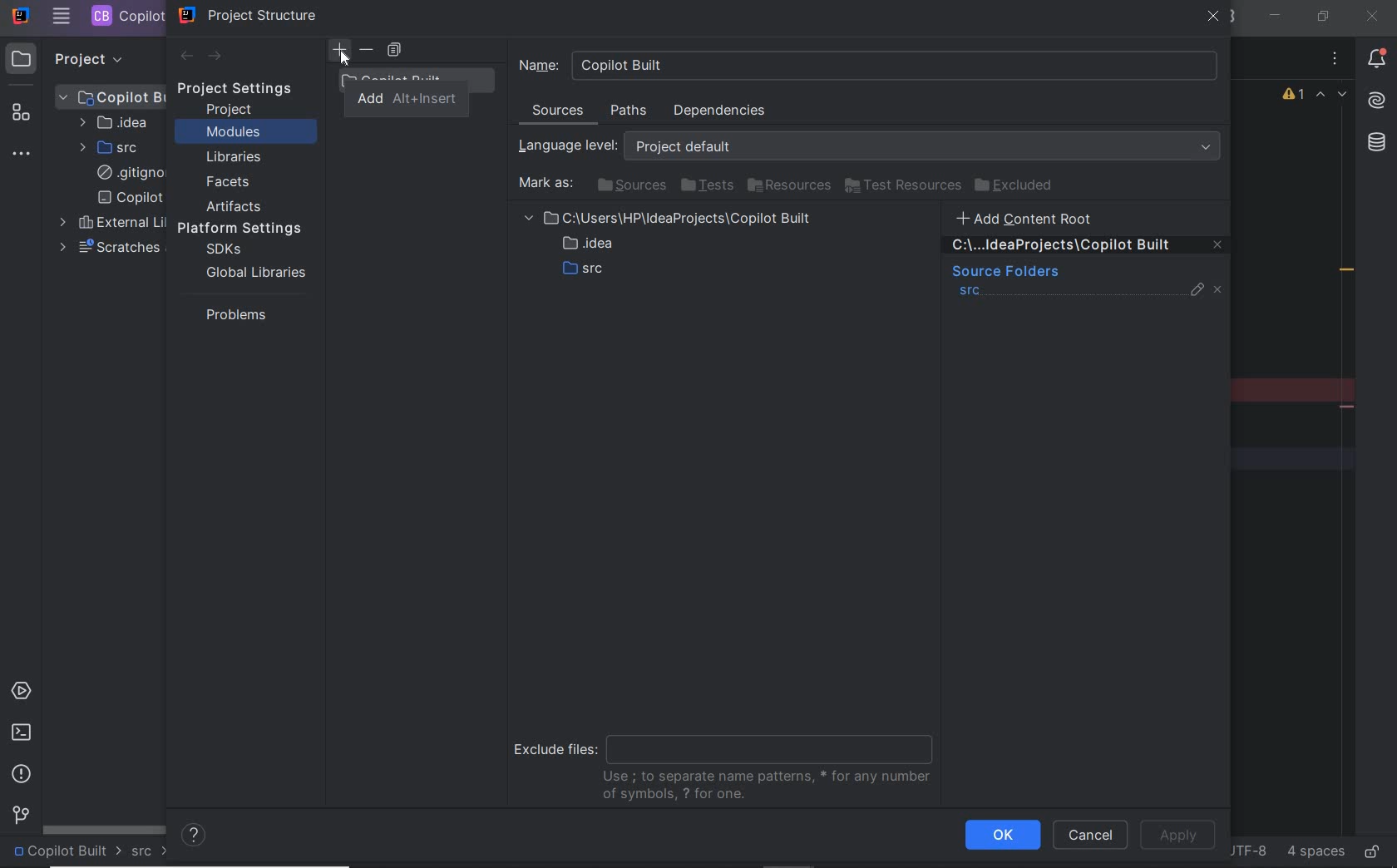  I want to click on options, so click(1335, 61).